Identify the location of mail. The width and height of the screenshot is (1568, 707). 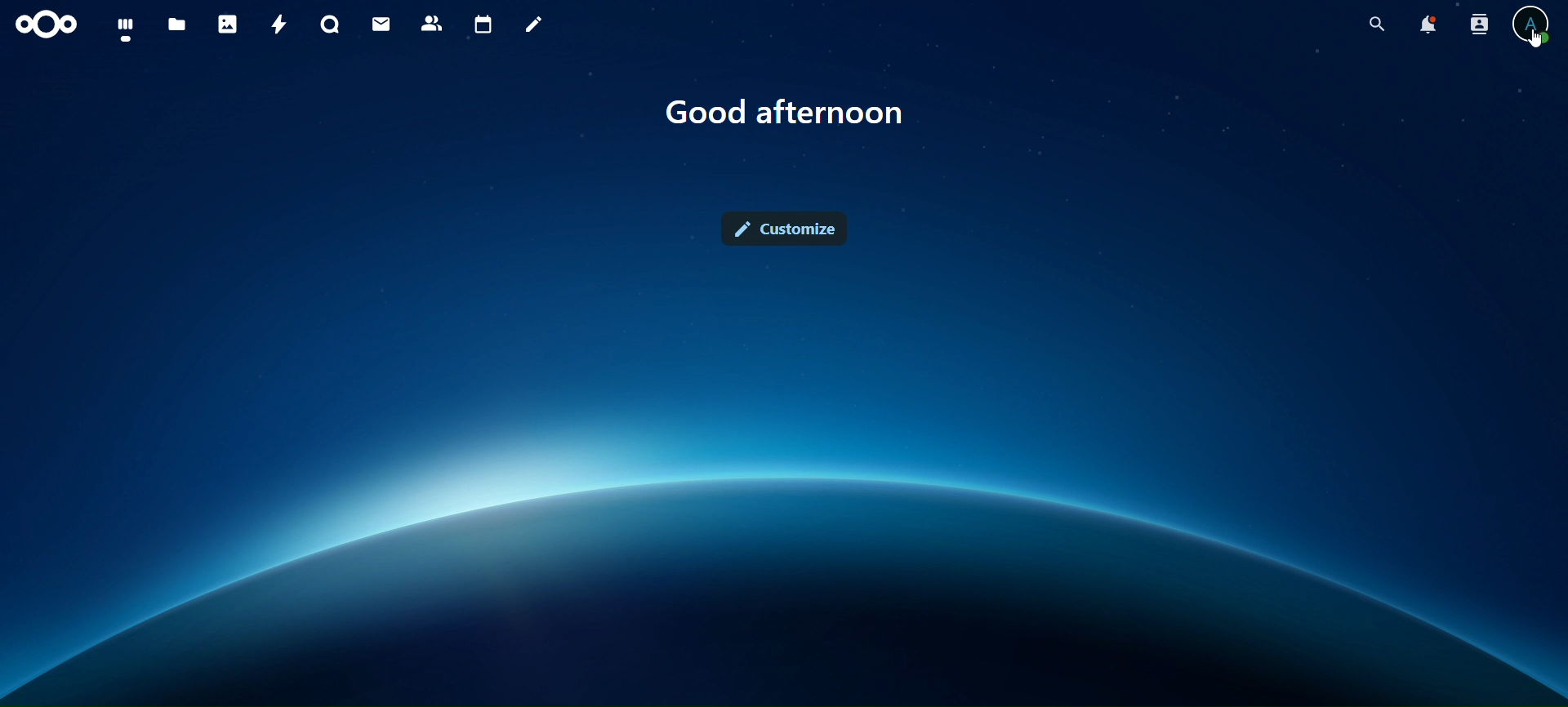
(383, 23).